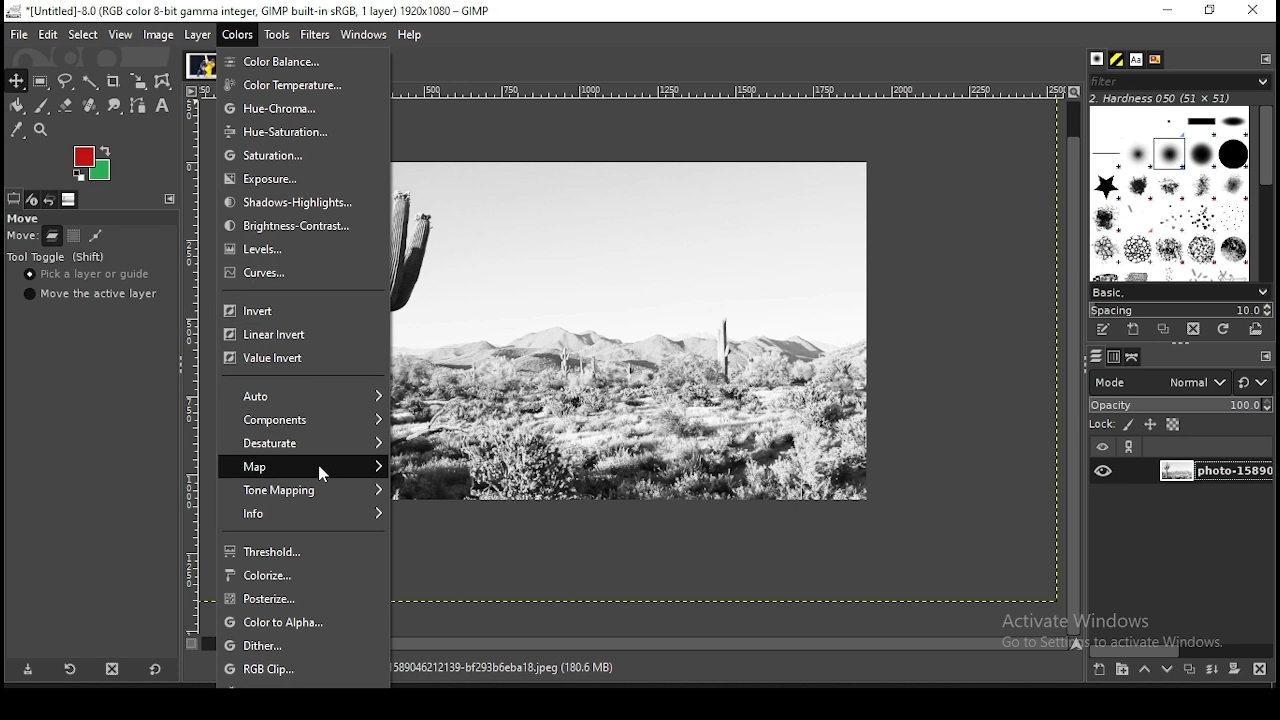  What do you see at coordinates (292, 179) in the screenshot?
I see `exposure` at bounding box center [292, 179].